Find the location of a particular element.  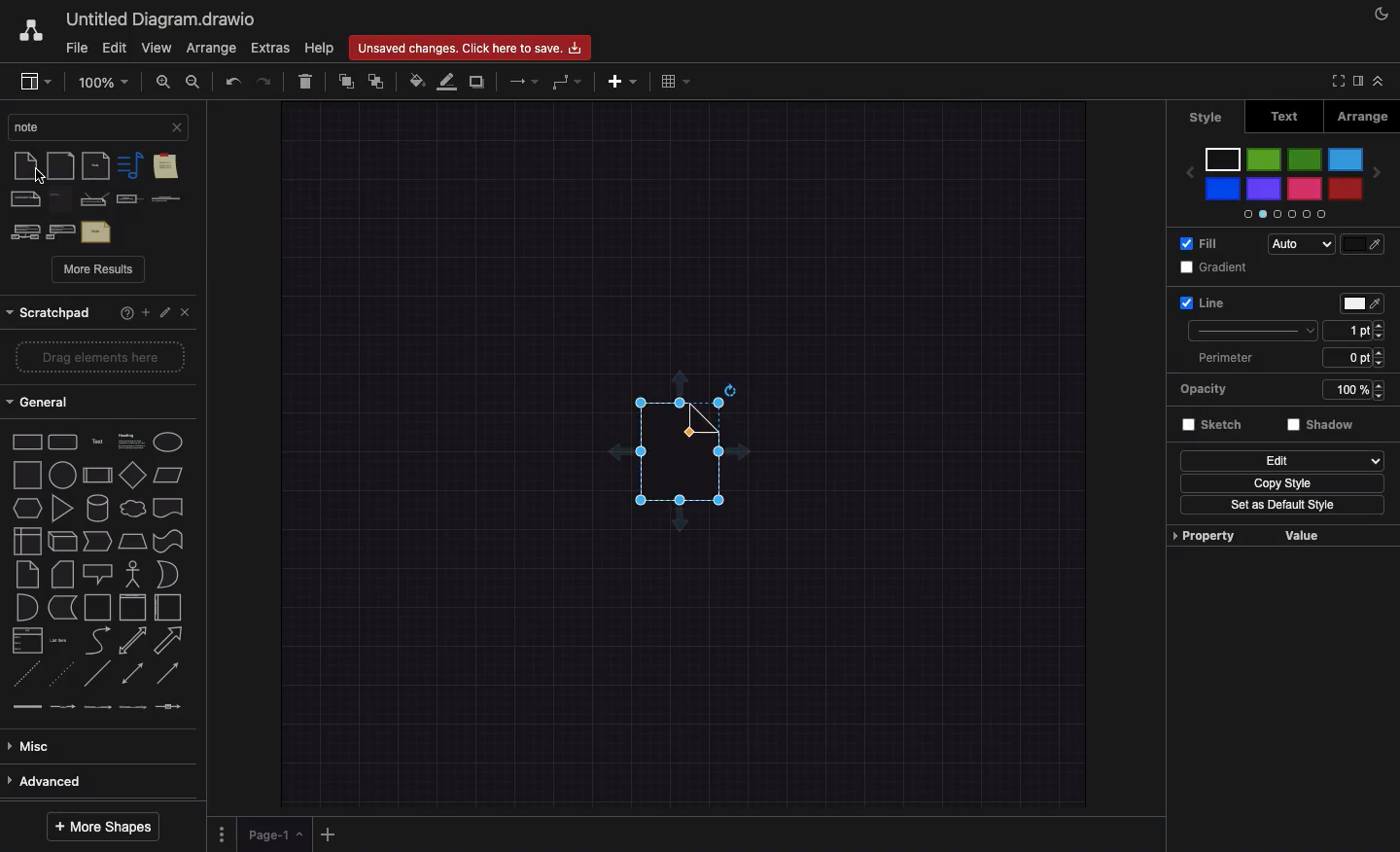

step is located at coordinates (99, 542).